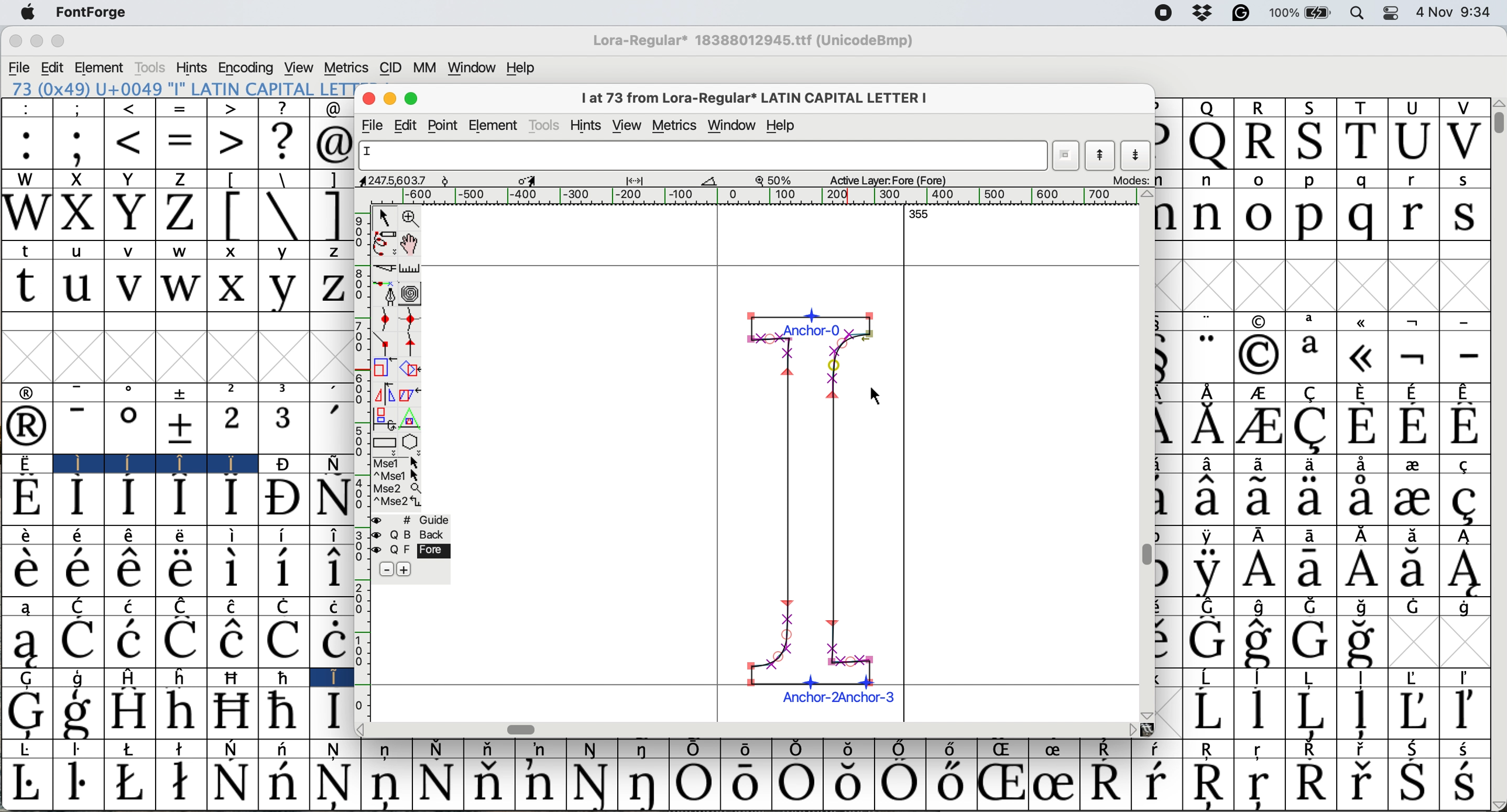  I want to click on scroll by hand, so click(411, 243).